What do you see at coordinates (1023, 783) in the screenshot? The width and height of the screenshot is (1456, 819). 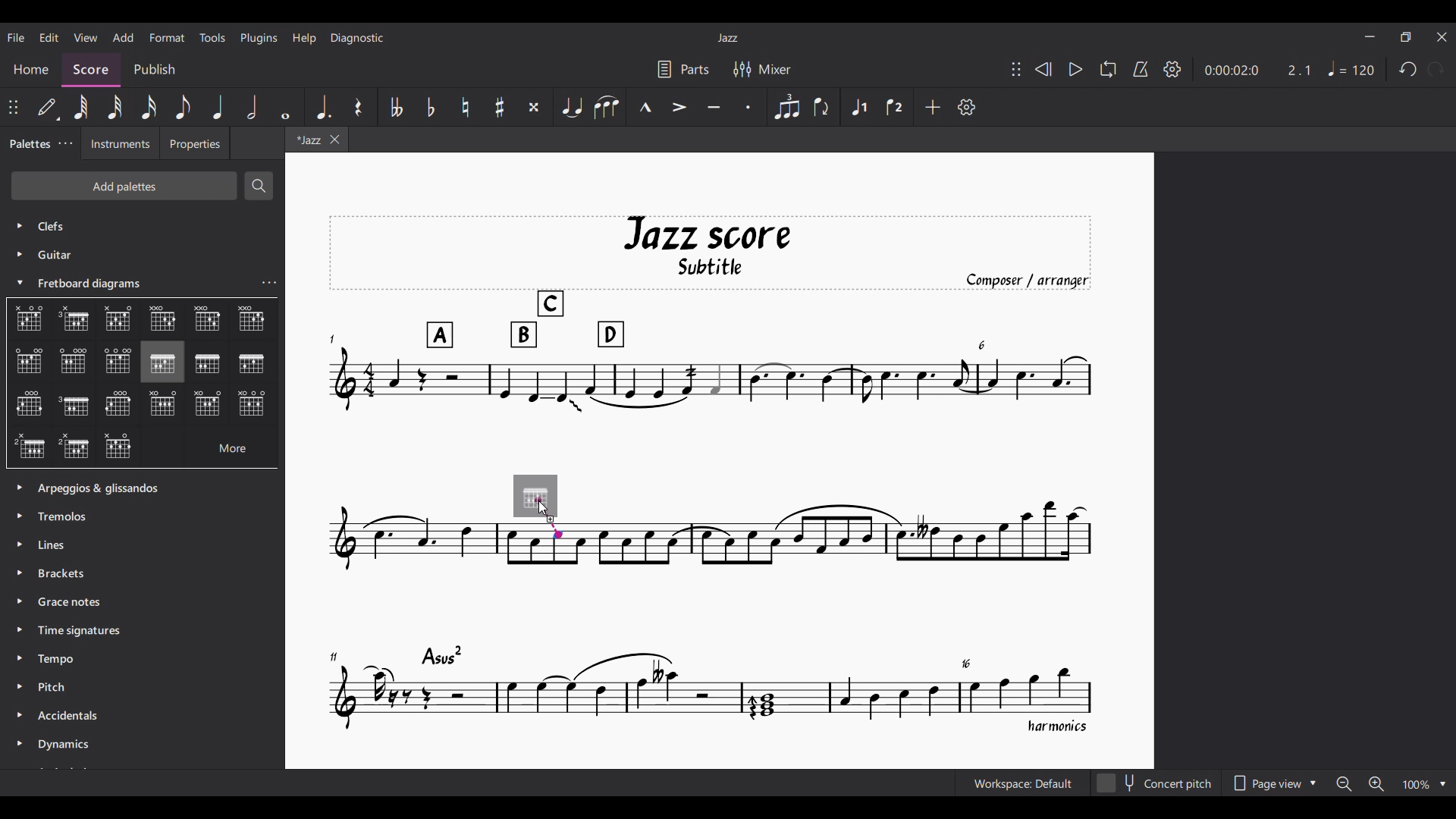 I see `Current workspace setting` at bounding box center [1023, 783].